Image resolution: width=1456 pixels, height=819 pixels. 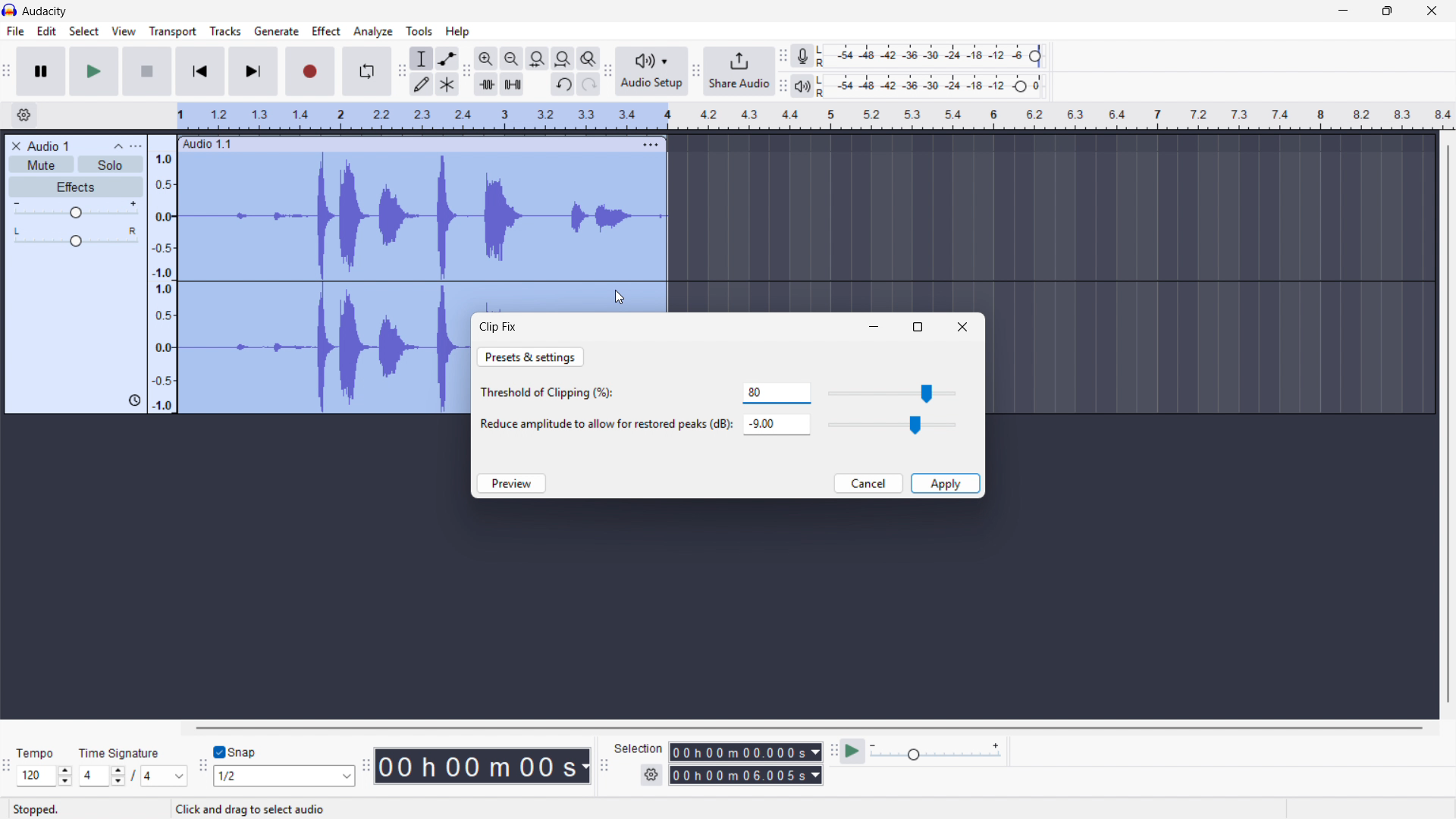 What do you see at coordinates (934, 86) in the screenshot?
I see `Playback level` at bounding box center [934, 86].